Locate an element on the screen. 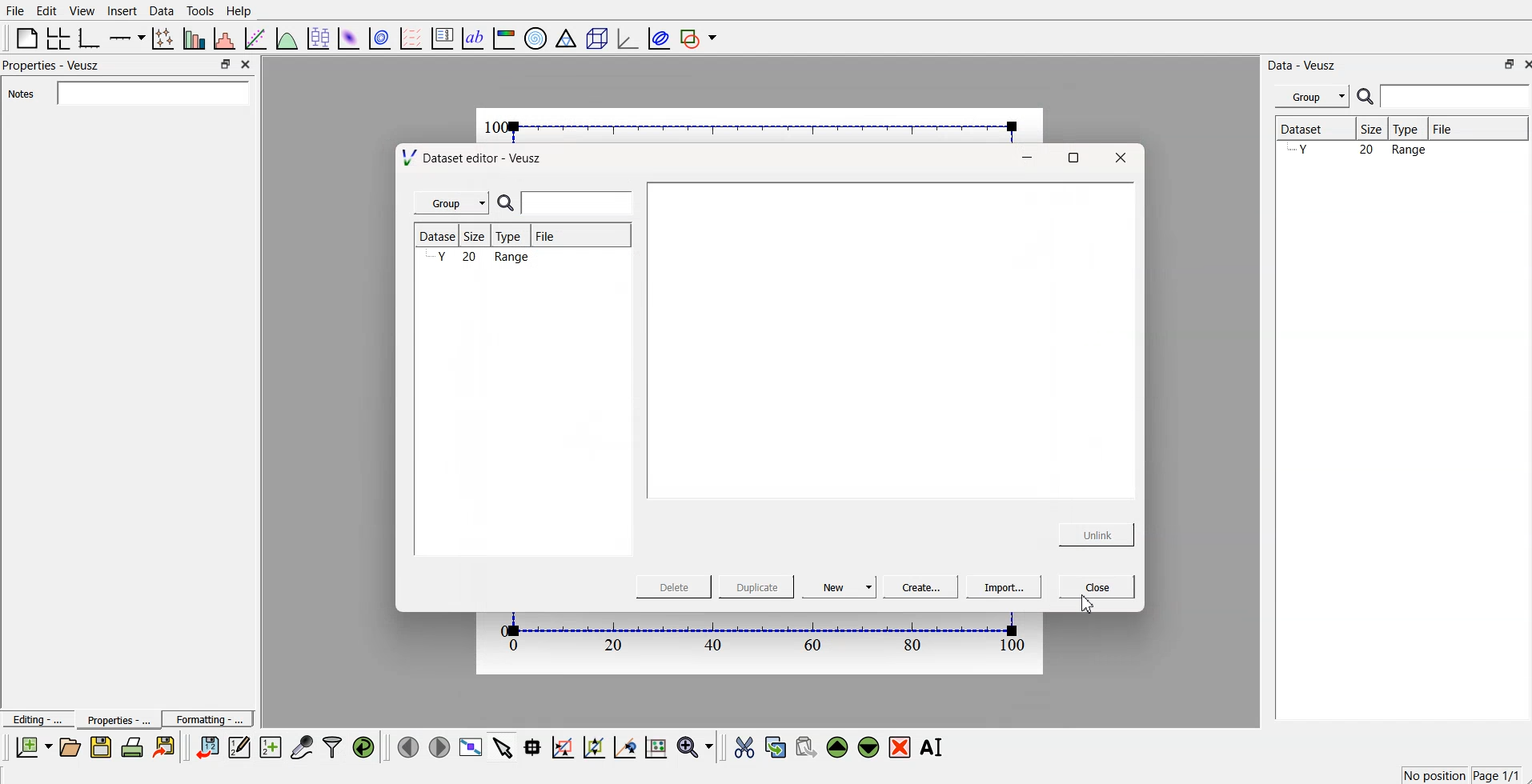  Close is located at coordinates (1522, 64).